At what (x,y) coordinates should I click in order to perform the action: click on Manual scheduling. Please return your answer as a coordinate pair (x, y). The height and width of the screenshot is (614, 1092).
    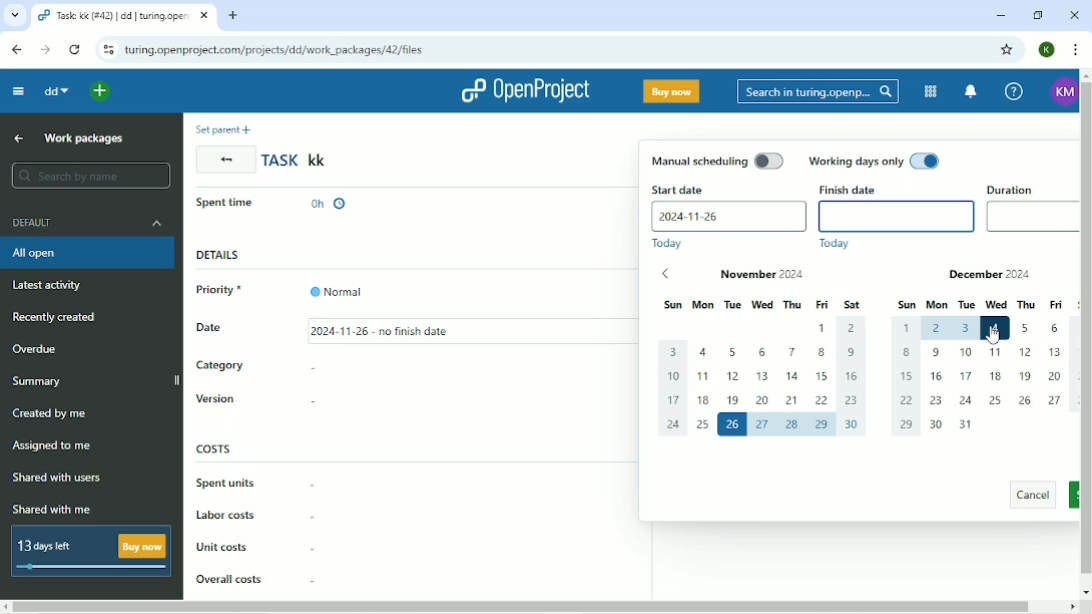
    Looking at the image, I should click on (717, 160).